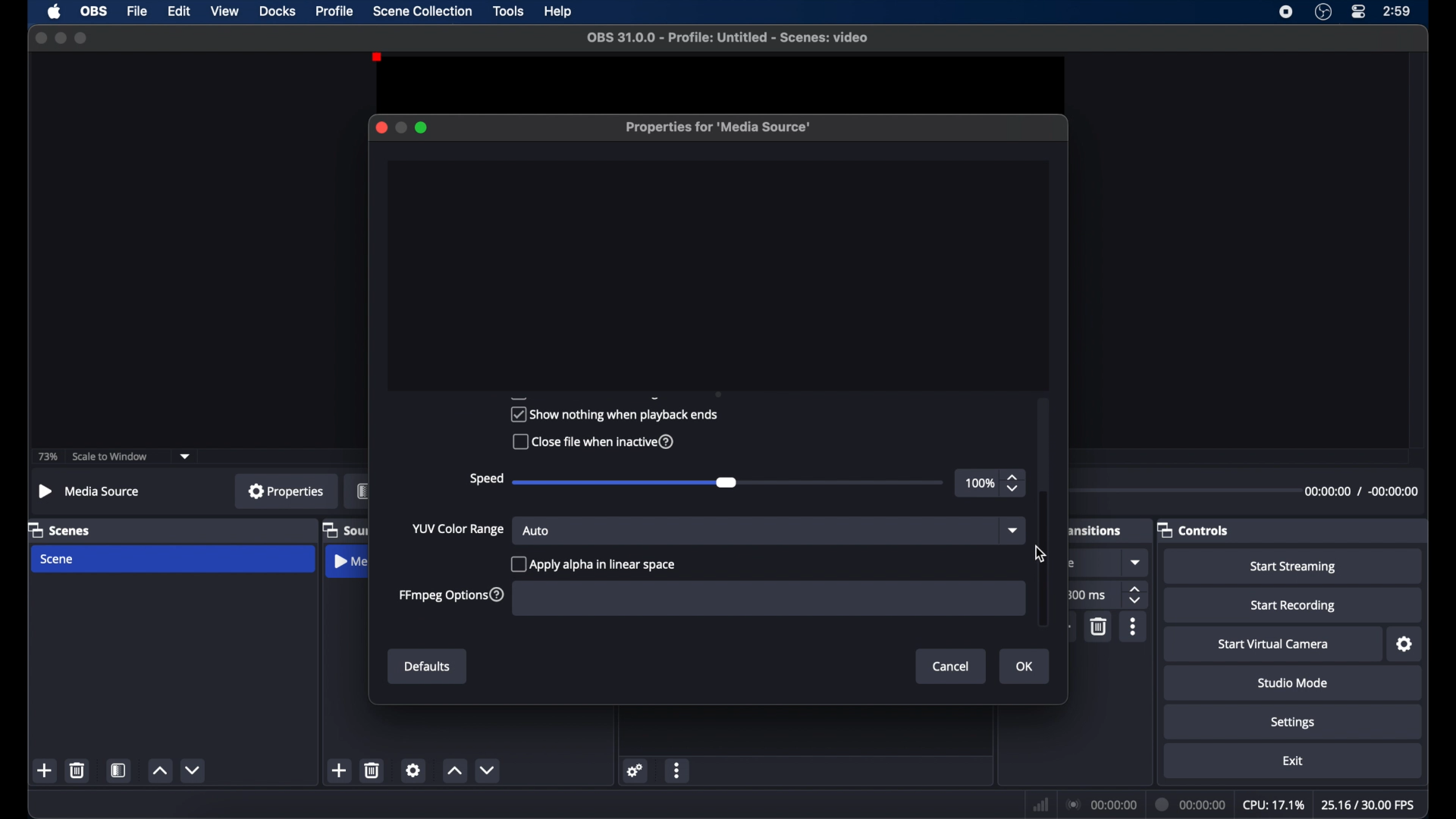 The image size is (1456, 819). Describe the element at coordinates (1294, 761) in the screenshot. I see `exit` at that location.